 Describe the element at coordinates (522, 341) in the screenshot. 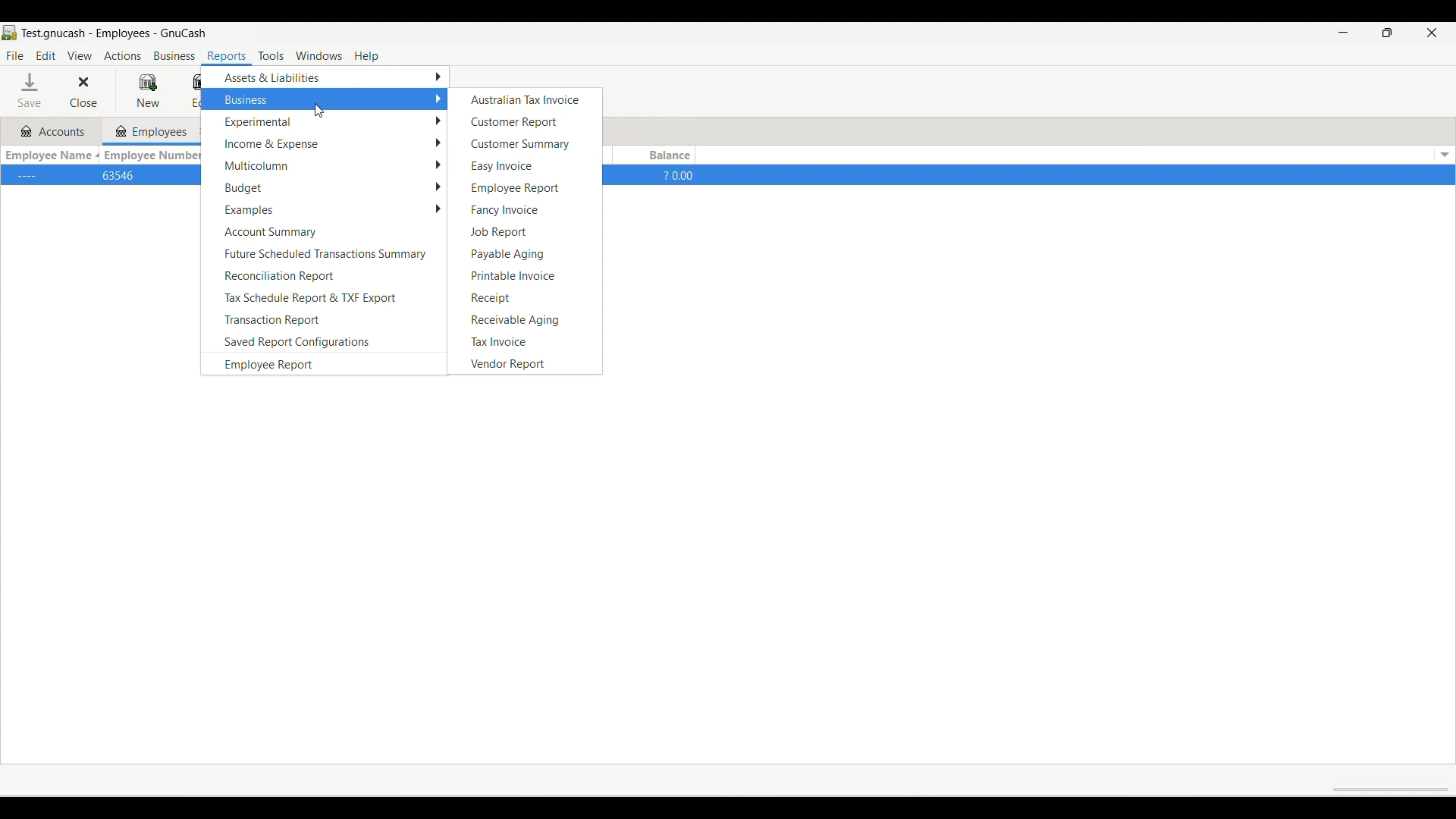

I see `Tax invoice` at that location.